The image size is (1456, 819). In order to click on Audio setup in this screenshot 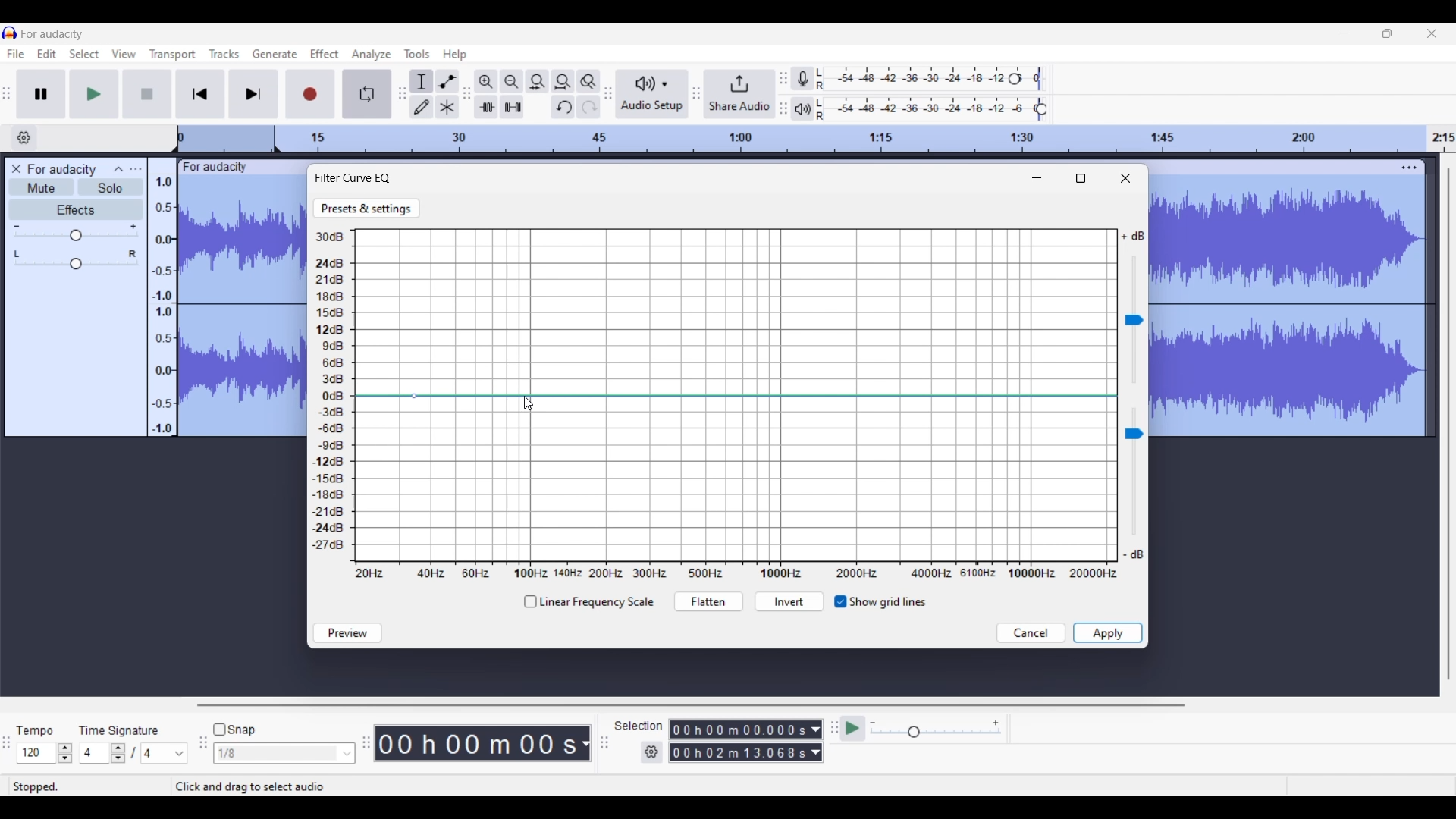, I will do `click(652, 94)`.